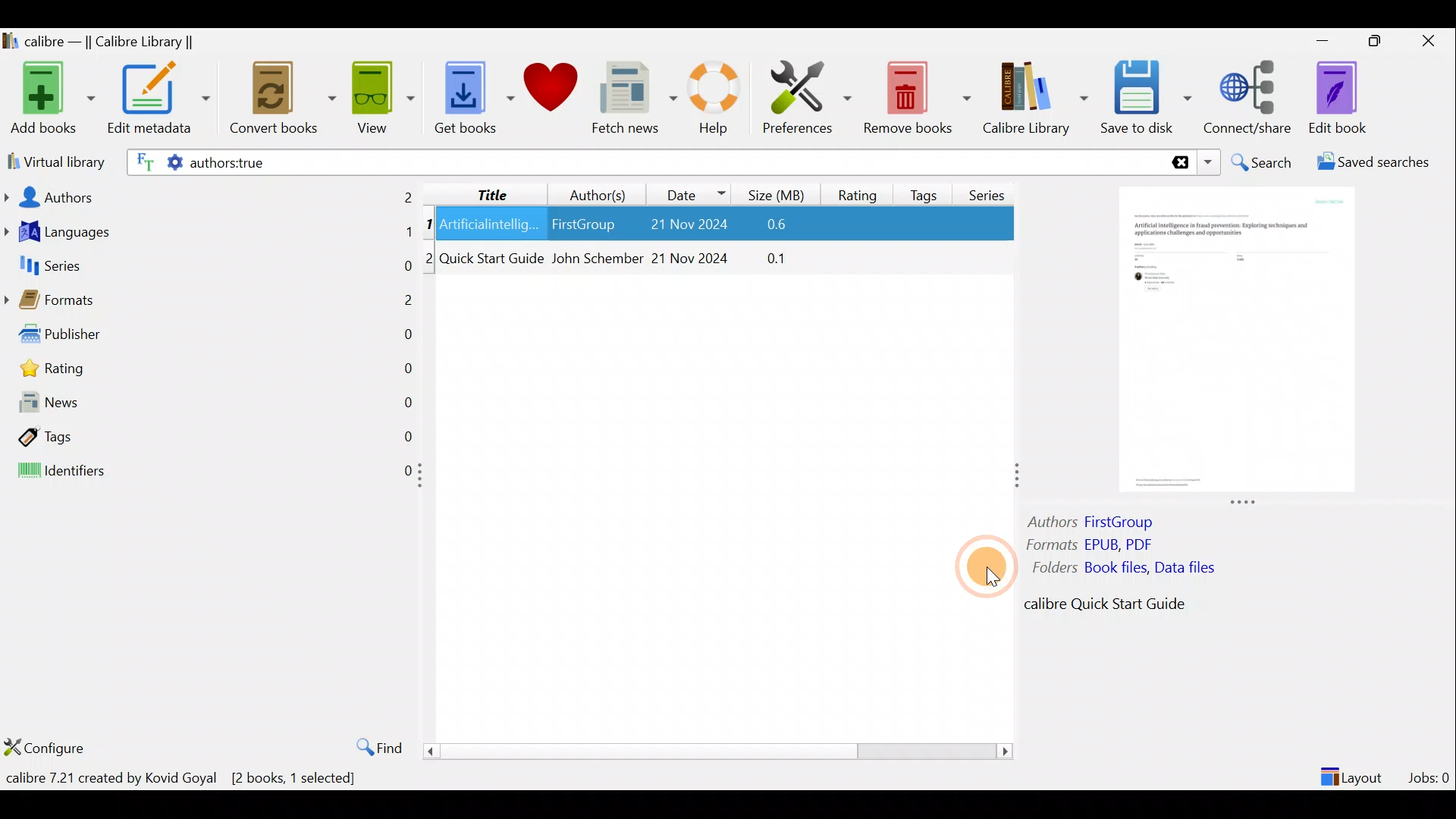 The height and width of the screenshot is (819, 1456). What do you see at coordinates (977, 557) in the screenshot?
I see `Cursor` at bounding box center [977, 557].